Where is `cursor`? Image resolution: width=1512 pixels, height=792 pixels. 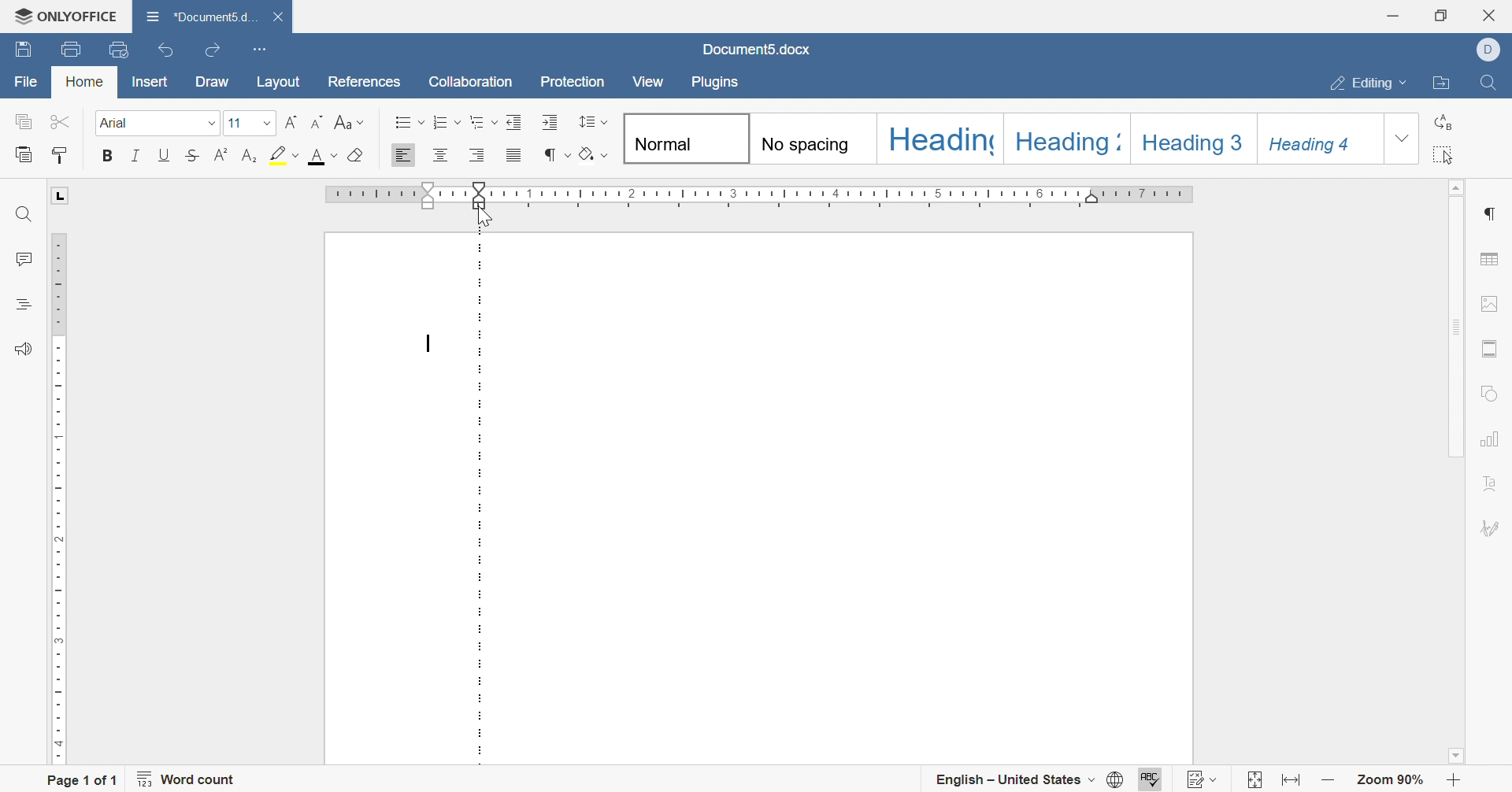
cursor is located at coordinates (484, 216).